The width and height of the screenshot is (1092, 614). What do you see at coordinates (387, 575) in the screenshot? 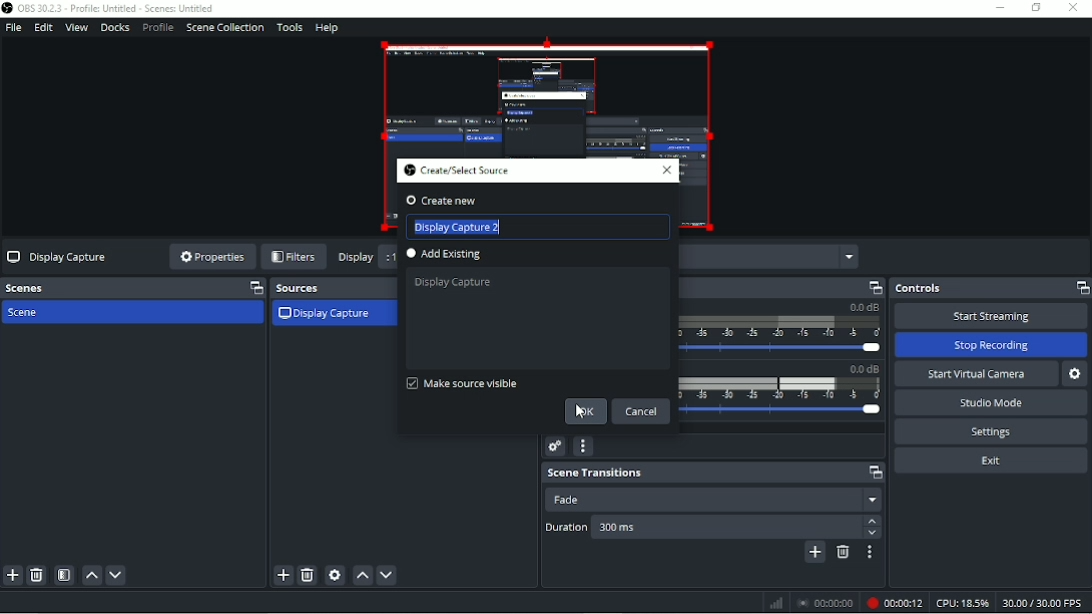
I see `Move source(s) down` at bounding box center [387, 575].